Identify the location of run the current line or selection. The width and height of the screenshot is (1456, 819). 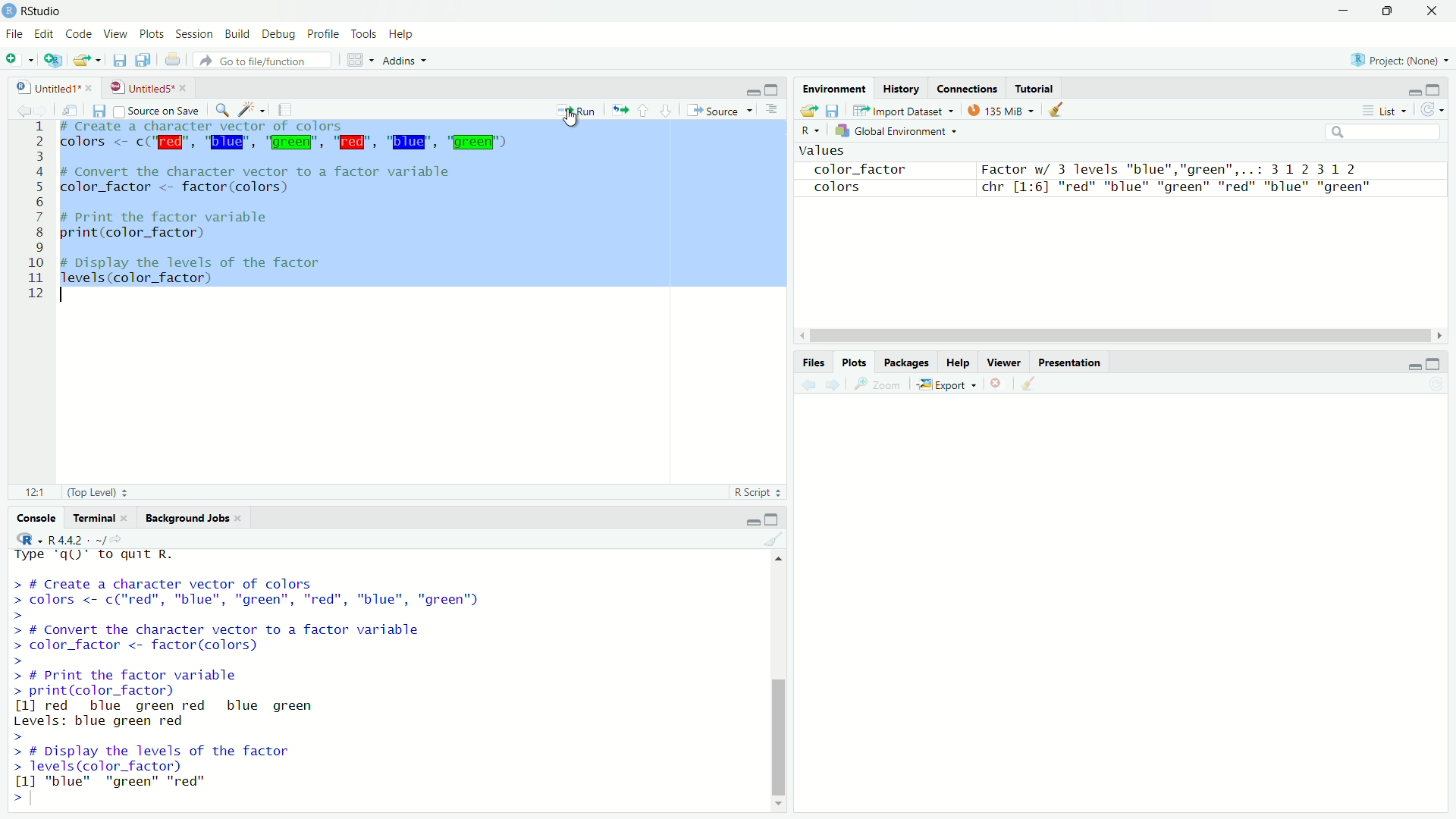
(576, 110).